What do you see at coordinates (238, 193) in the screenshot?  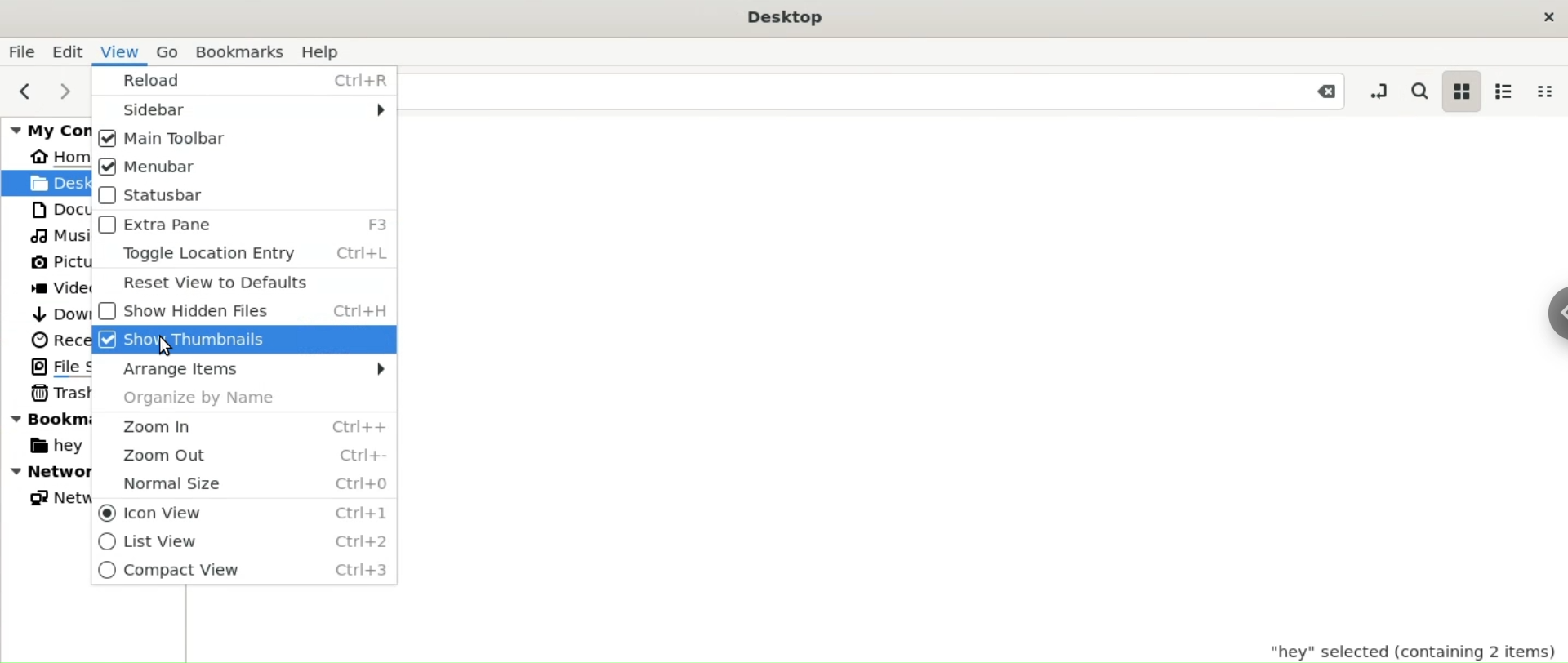 I see `Statusbar` at bounding box center [238, 193].